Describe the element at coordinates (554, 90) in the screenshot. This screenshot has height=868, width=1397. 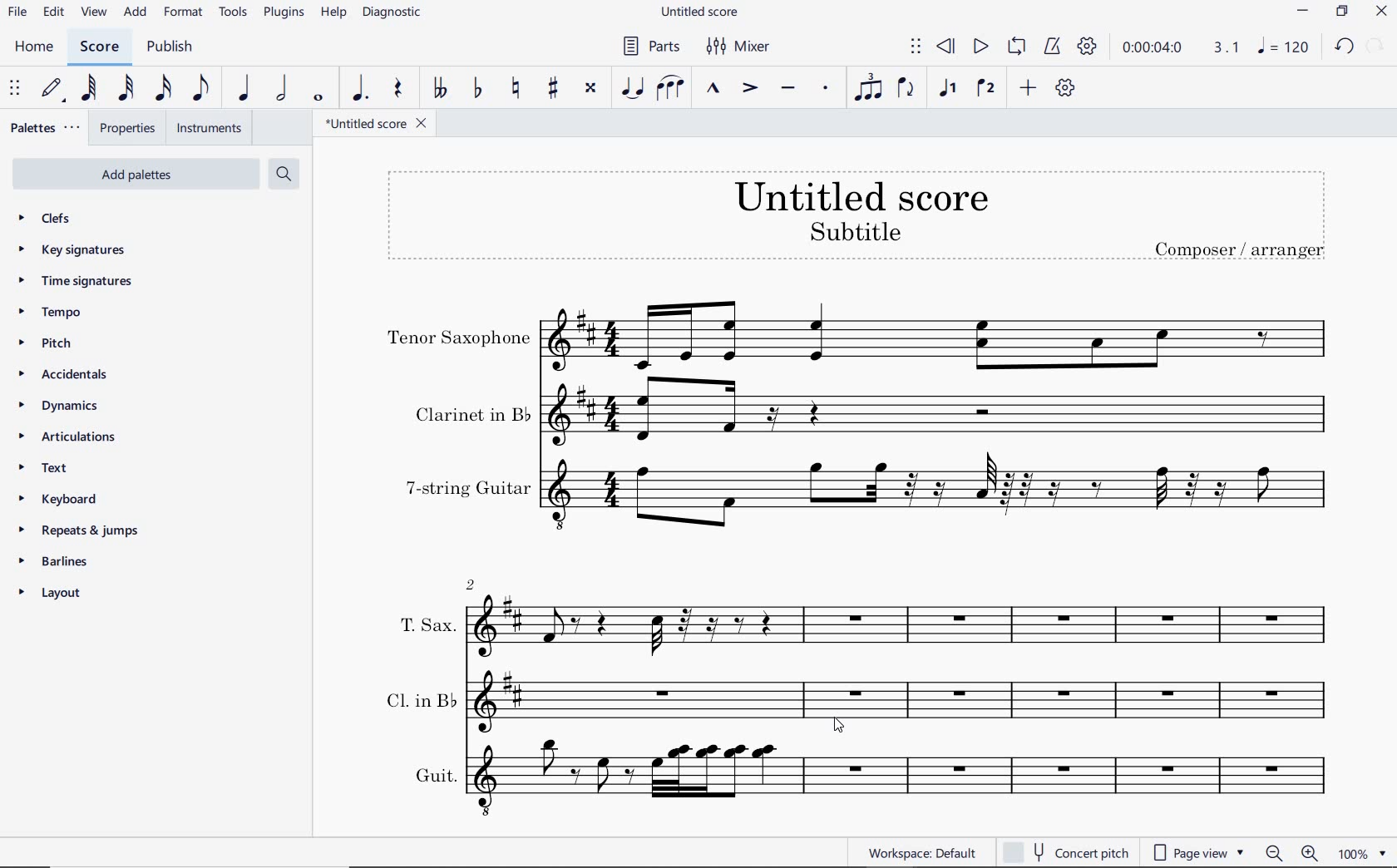
I see `TOGGLE SHARP` at that location.